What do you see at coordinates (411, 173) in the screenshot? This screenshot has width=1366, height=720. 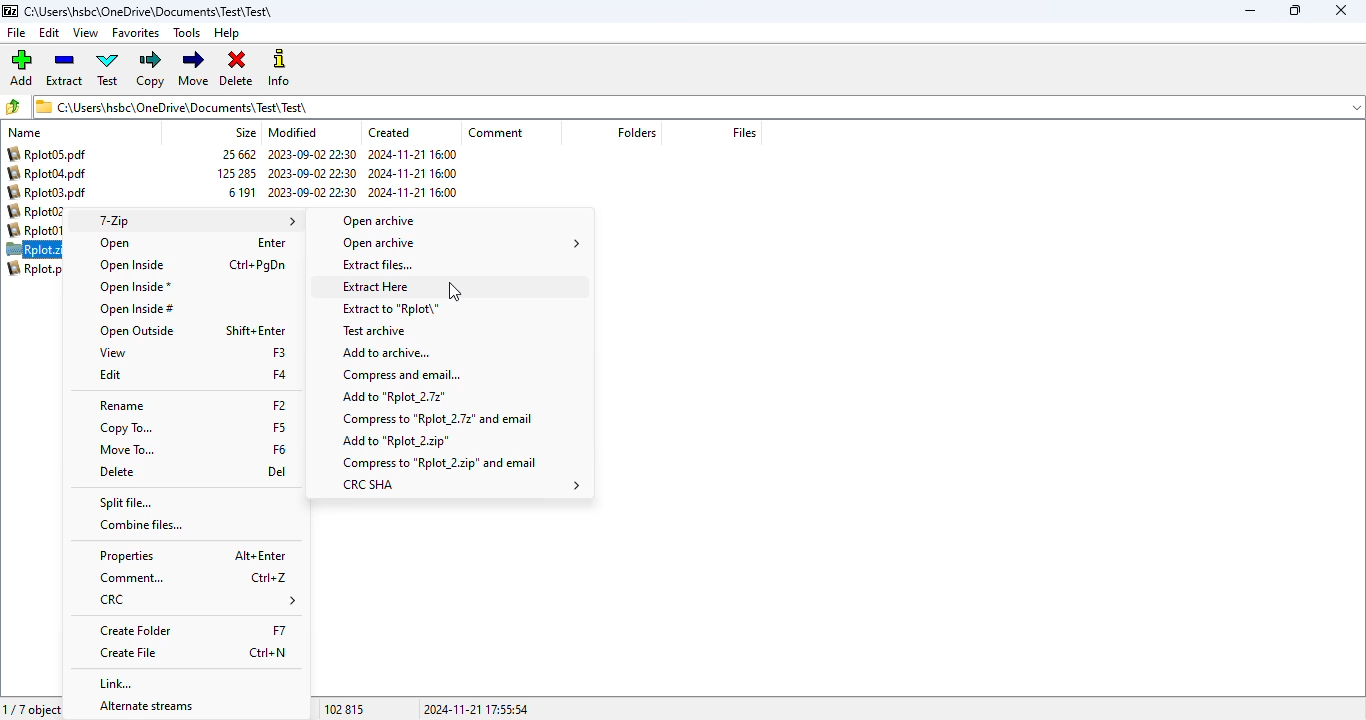 I see `2024-11-21 16:00` at bounding box center [411, 173].